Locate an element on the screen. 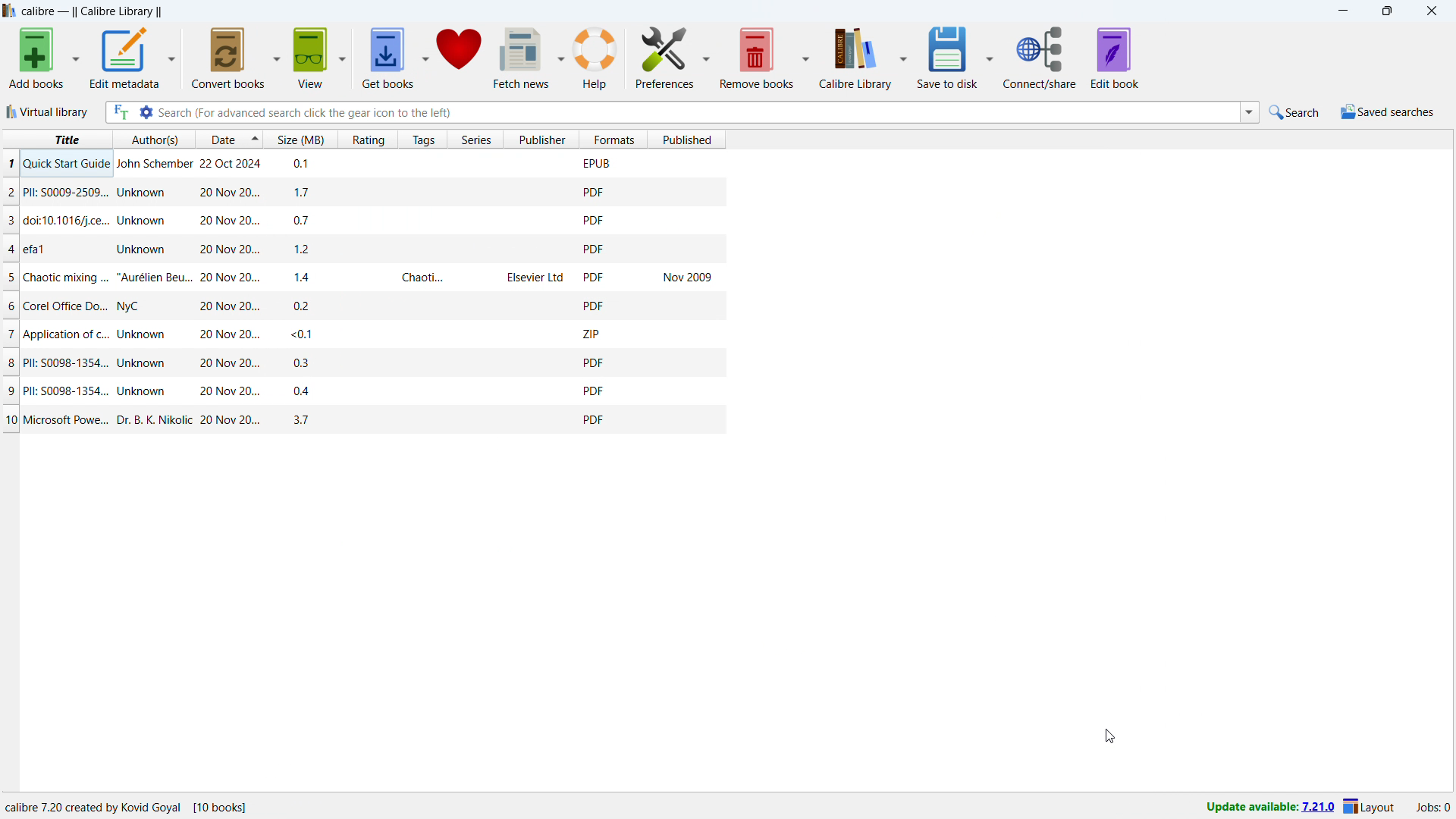 The image size is (1456, 819). help is located at coordinates (596, 57).